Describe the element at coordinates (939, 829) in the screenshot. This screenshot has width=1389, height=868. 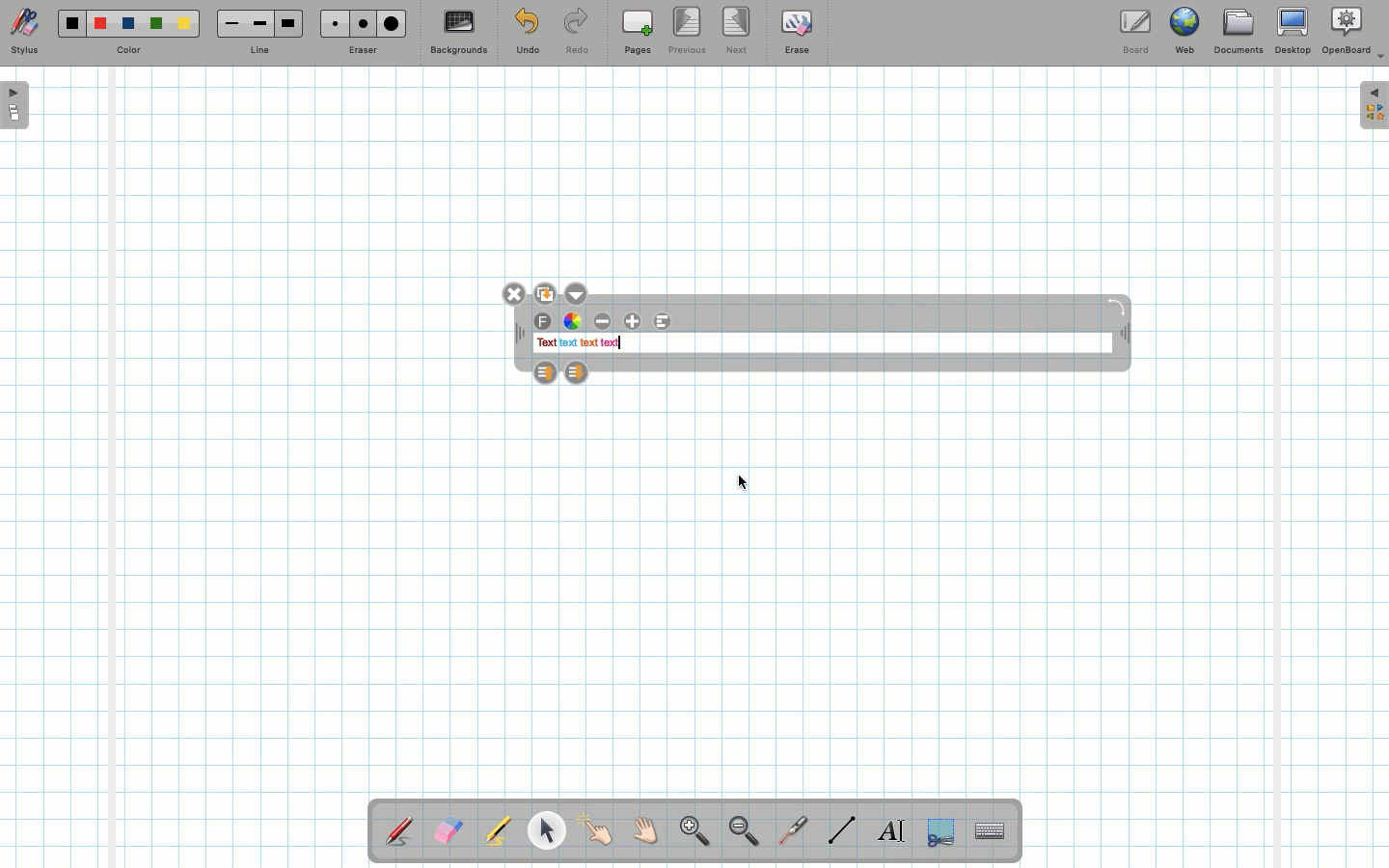
I see `Selection` at that location.